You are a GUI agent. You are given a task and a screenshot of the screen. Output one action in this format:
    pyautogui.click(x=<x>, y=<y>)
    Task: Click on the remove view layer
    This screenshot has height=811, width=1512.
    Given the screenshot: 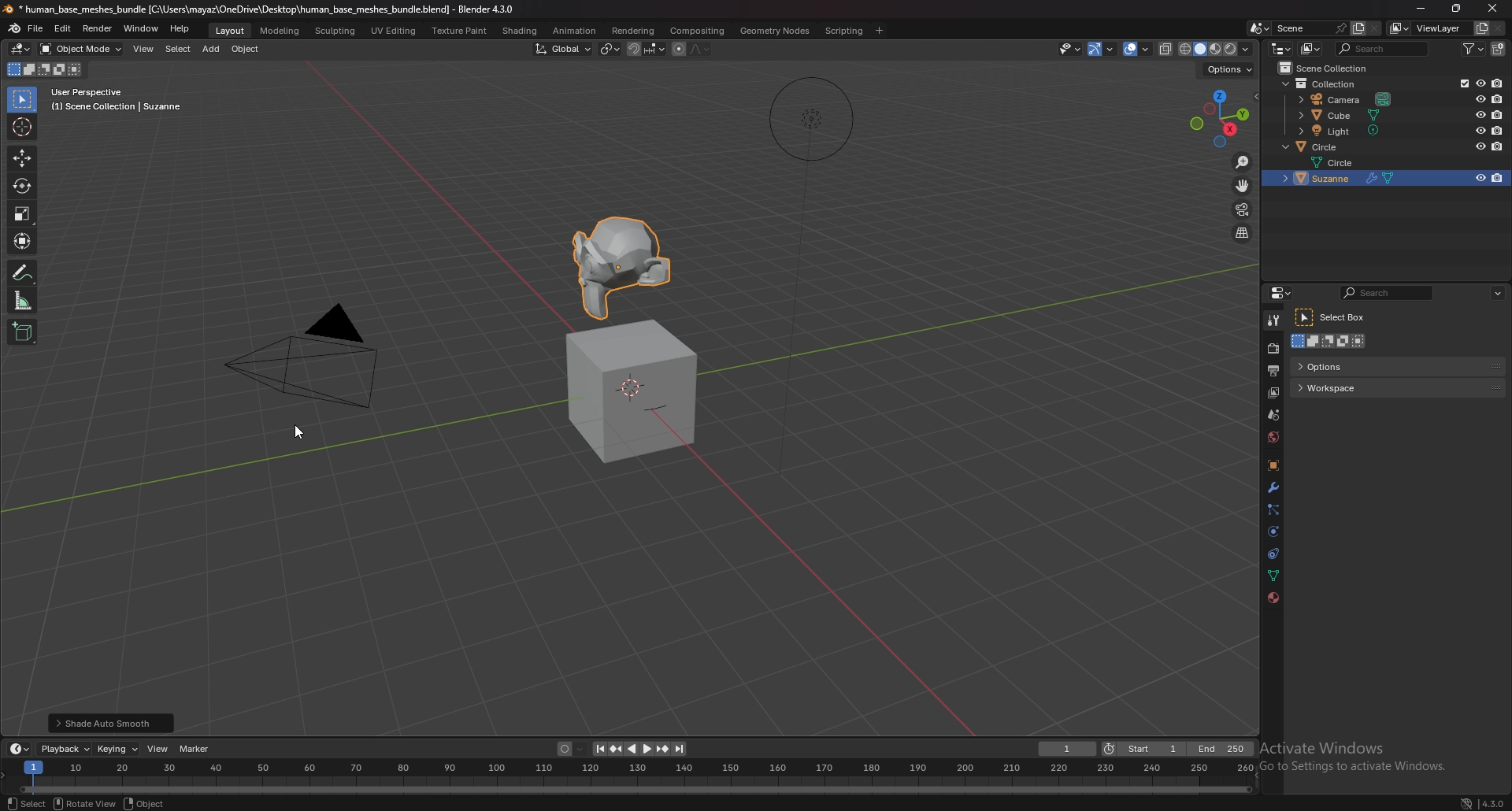 What is the action you would take?
    pyautogui.click(x=1499, y=28)
    